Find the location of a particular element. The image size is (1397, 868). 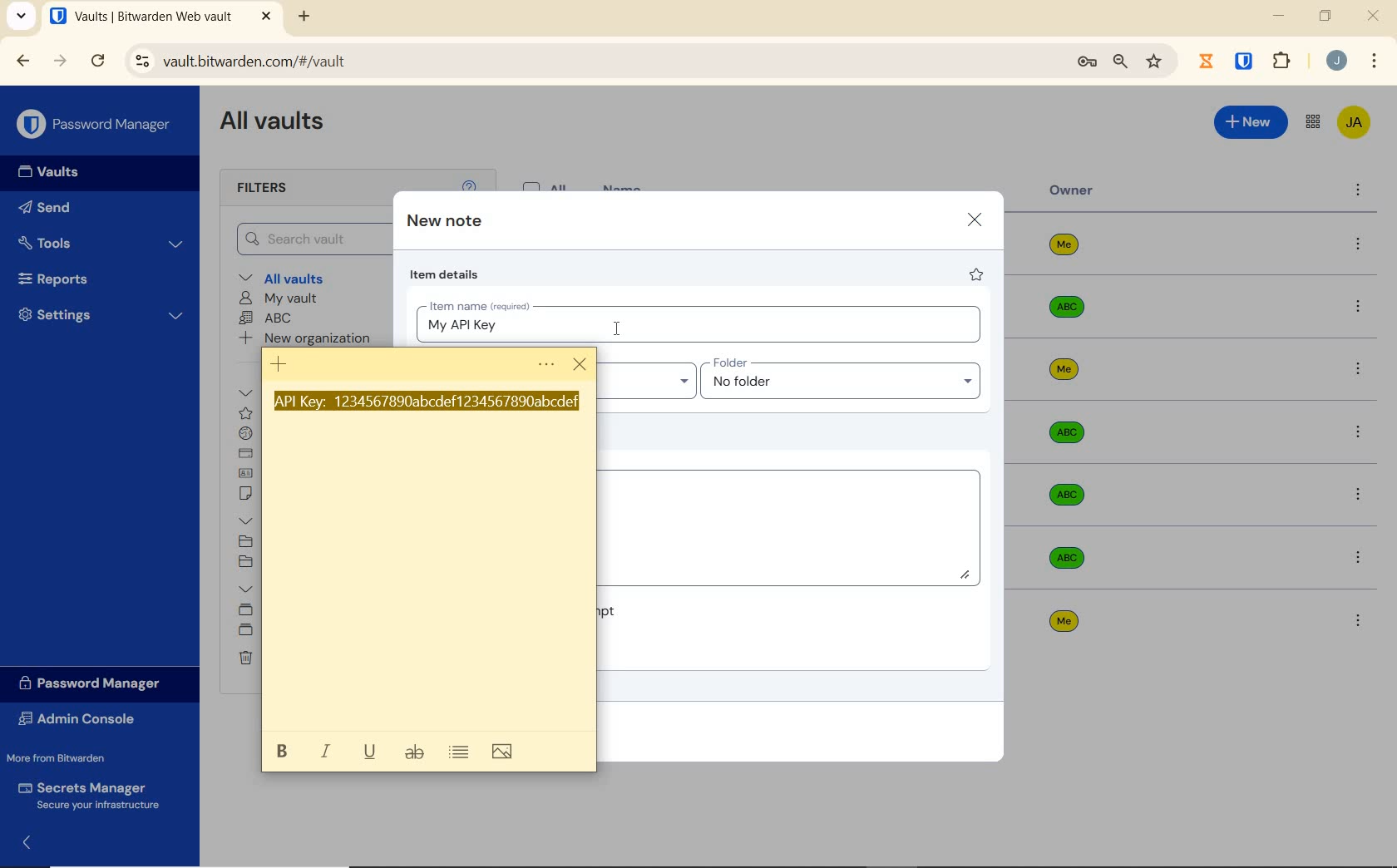

Trash is located at coordinates (244, 659).